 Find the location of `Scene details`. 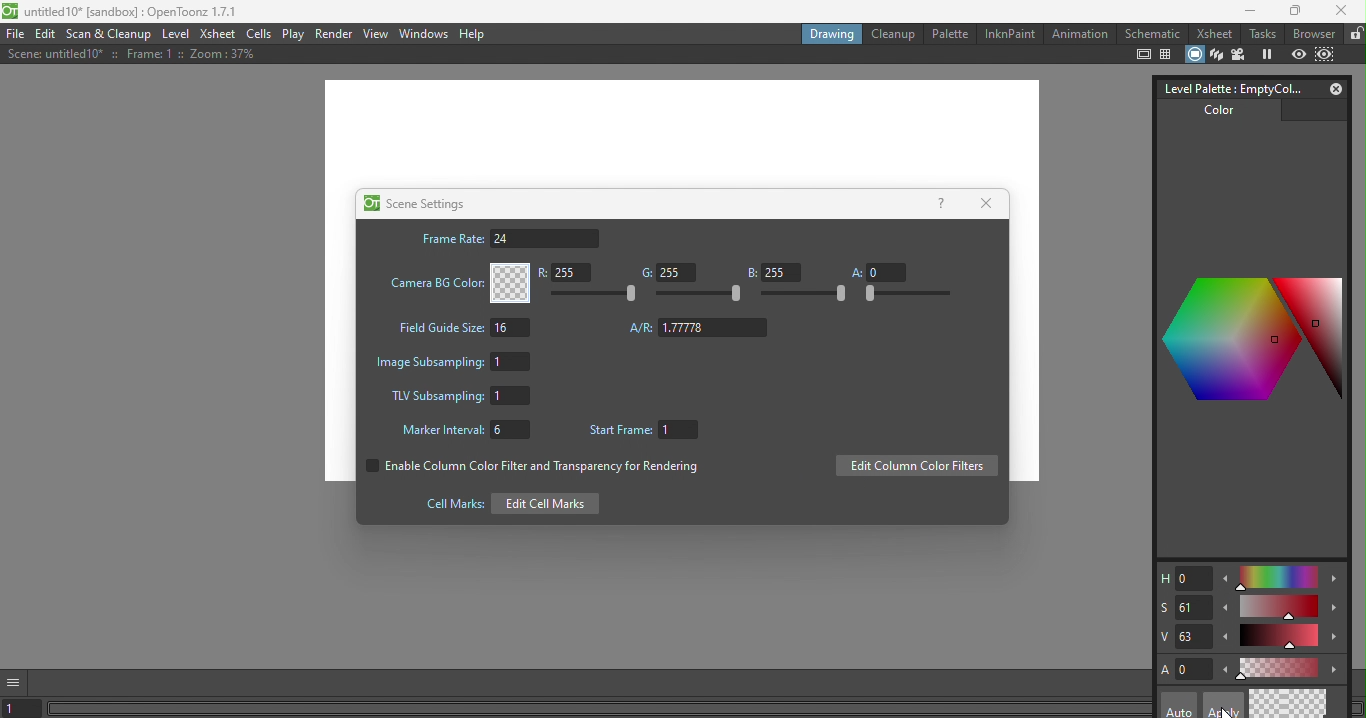

Scene details is located at coordinates (127, 56).